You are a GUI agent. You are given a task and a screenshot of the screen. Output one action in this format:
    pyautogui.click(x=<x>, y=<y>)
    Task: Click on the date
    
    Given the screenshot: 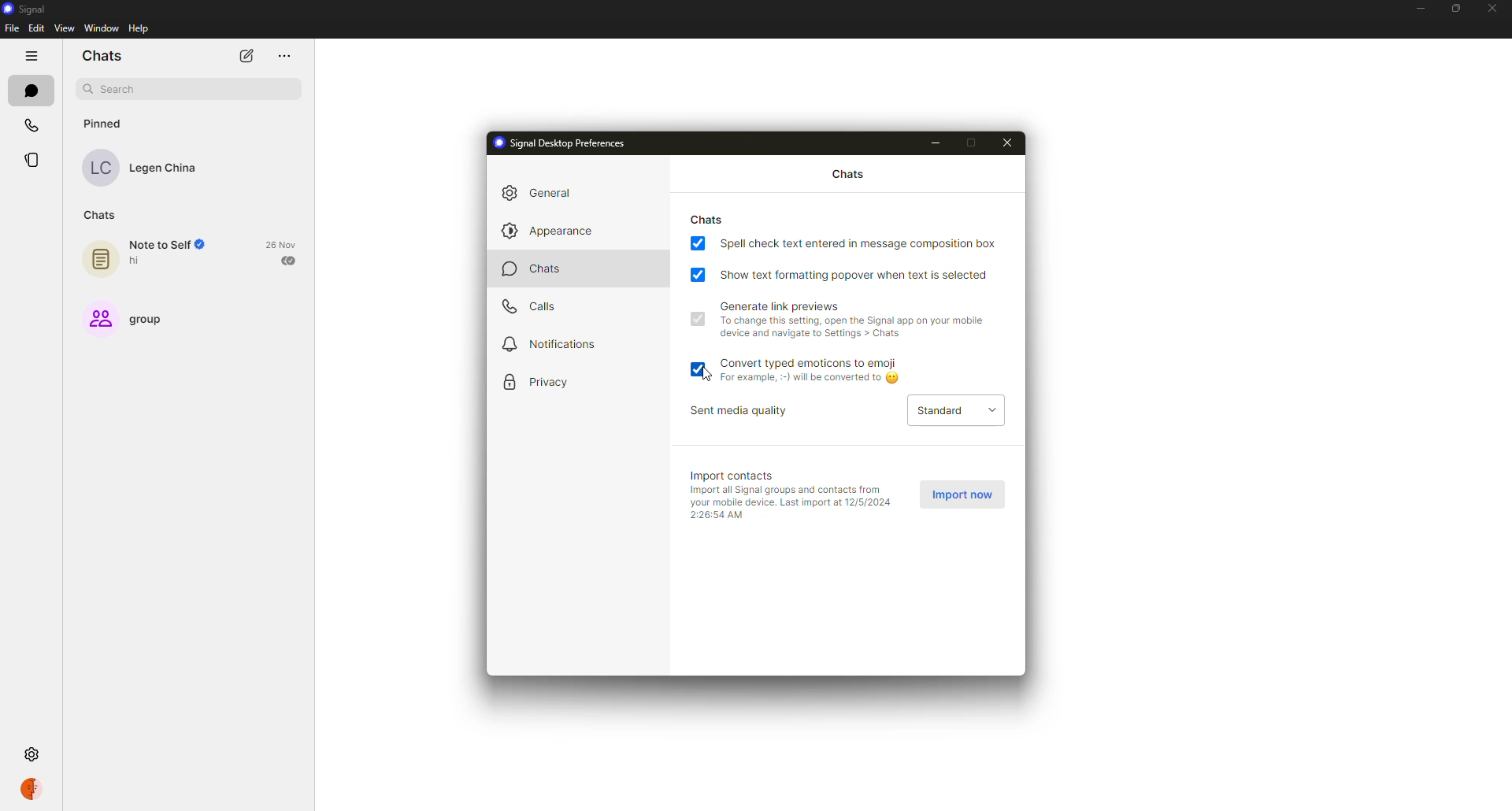 What is the action you would take?
    pyautogui.click(x=281, y=245)
    